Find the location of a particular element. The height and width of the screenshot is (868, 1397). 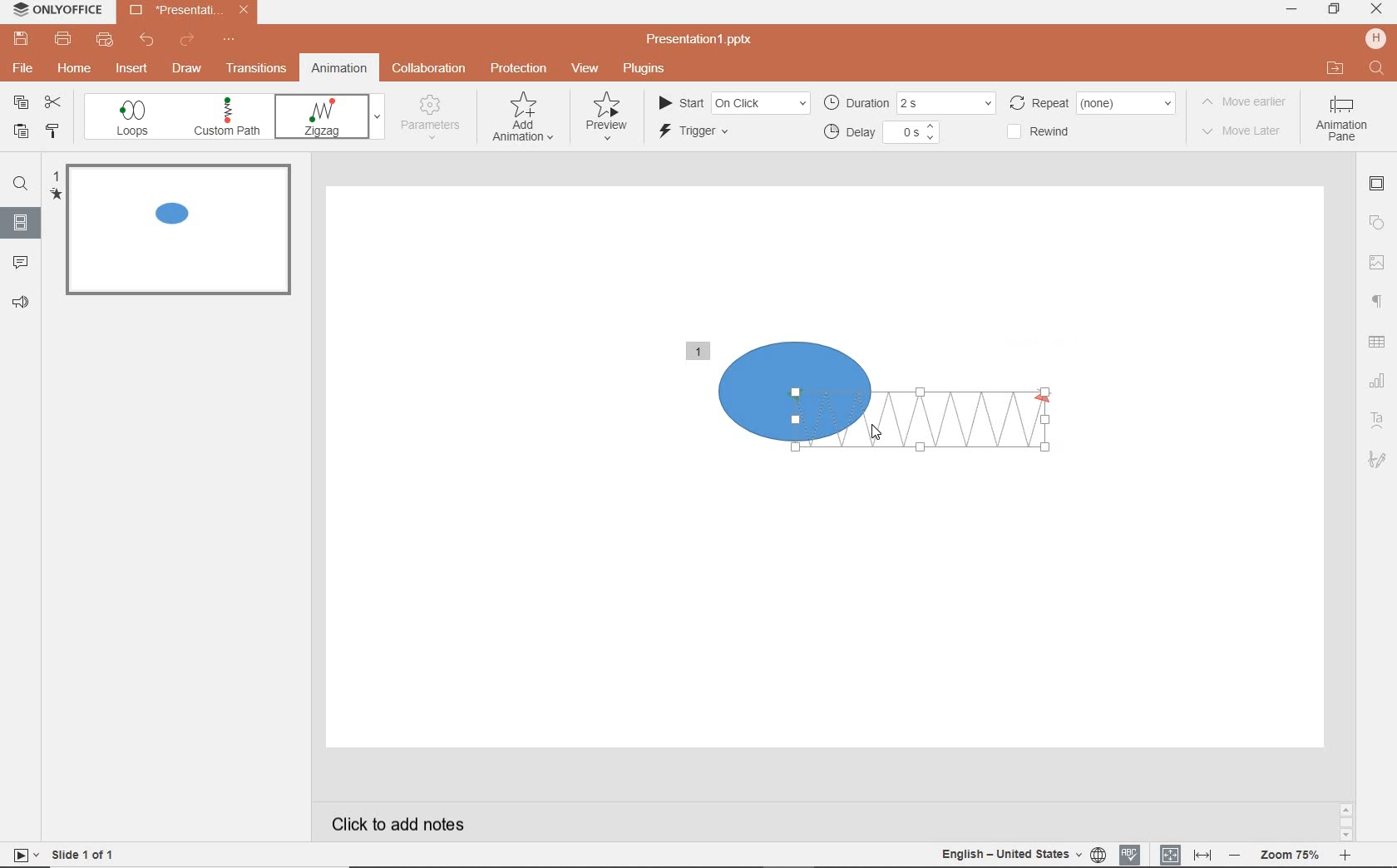

table settings is located at coordinates (1379, 343).